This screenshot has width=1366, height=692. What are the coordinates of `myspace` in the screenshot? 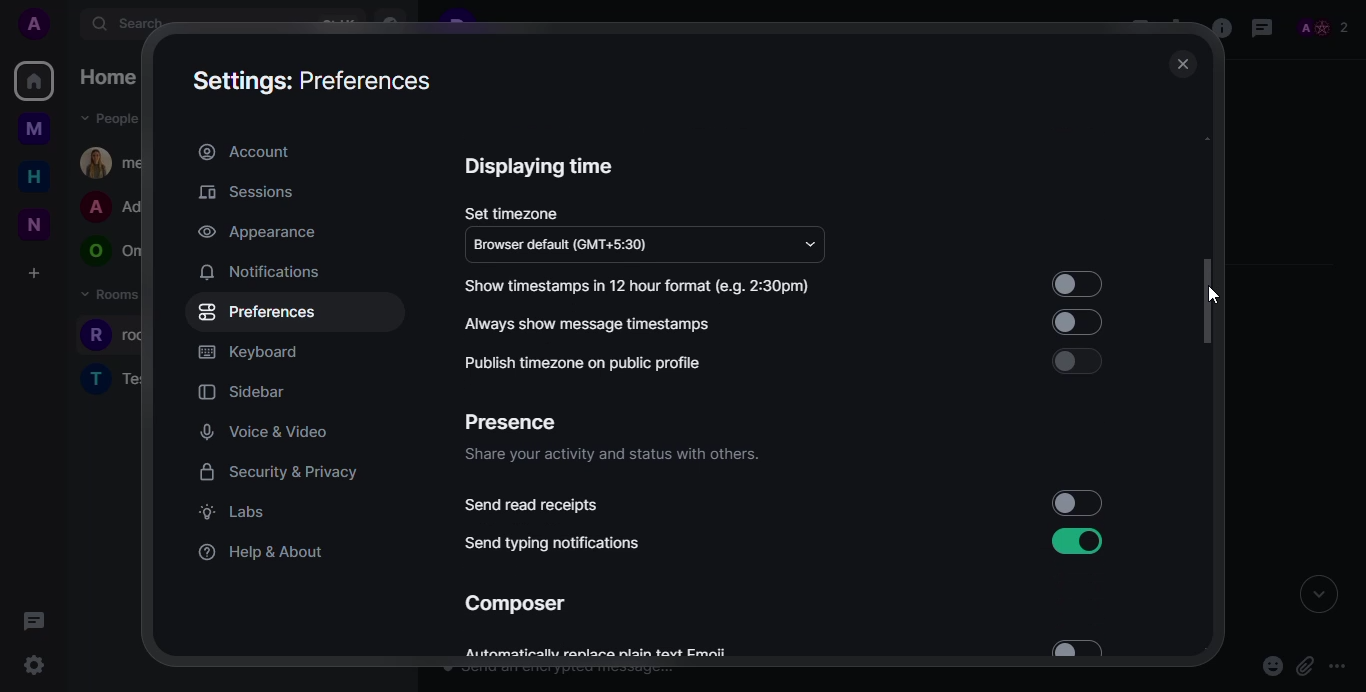 It's located at (33, 131).